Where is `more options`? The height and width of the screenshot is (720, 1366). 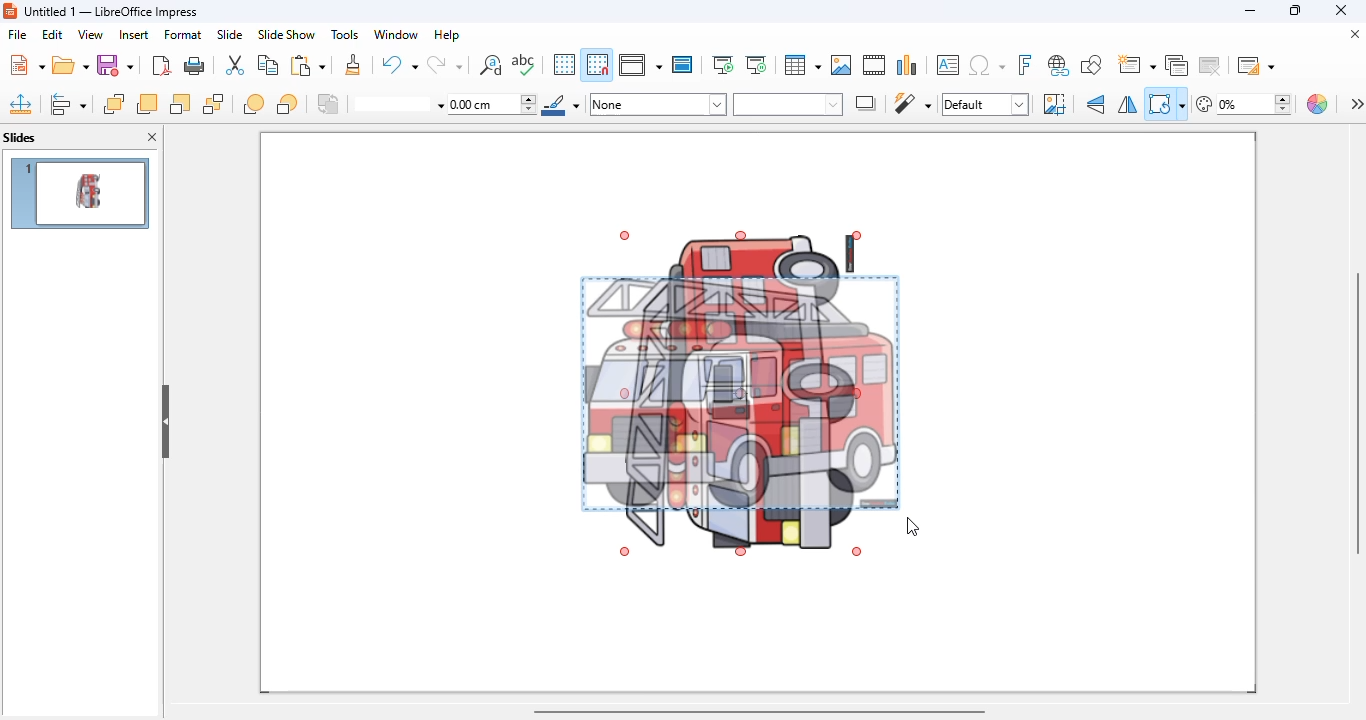 more options is located at coordinates (1356, 103).